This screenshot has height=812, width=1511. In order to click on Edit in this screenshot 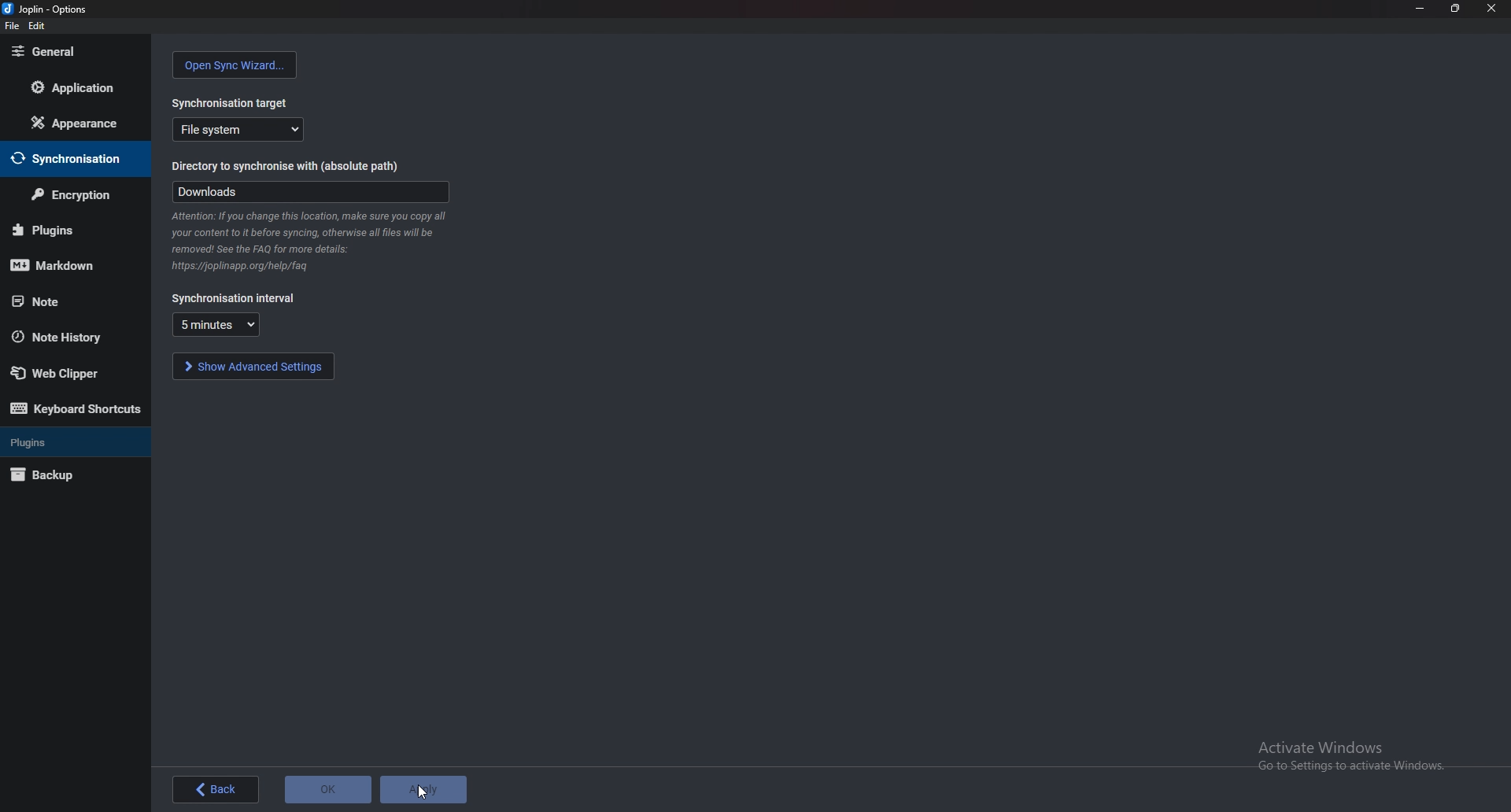, I will do `click(35, 27)`.